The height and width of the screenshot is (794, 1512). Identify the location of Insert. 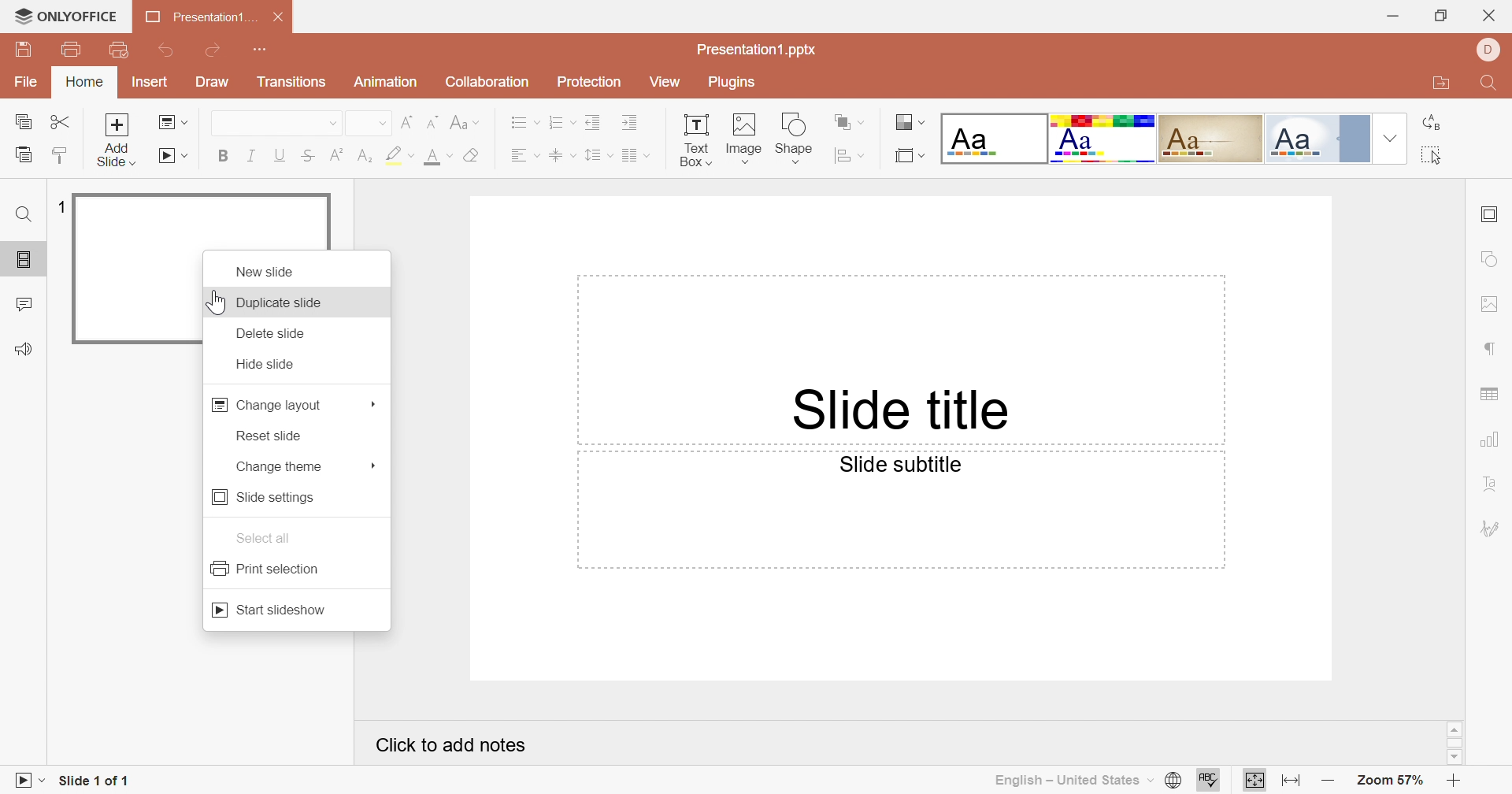
(153, 81).